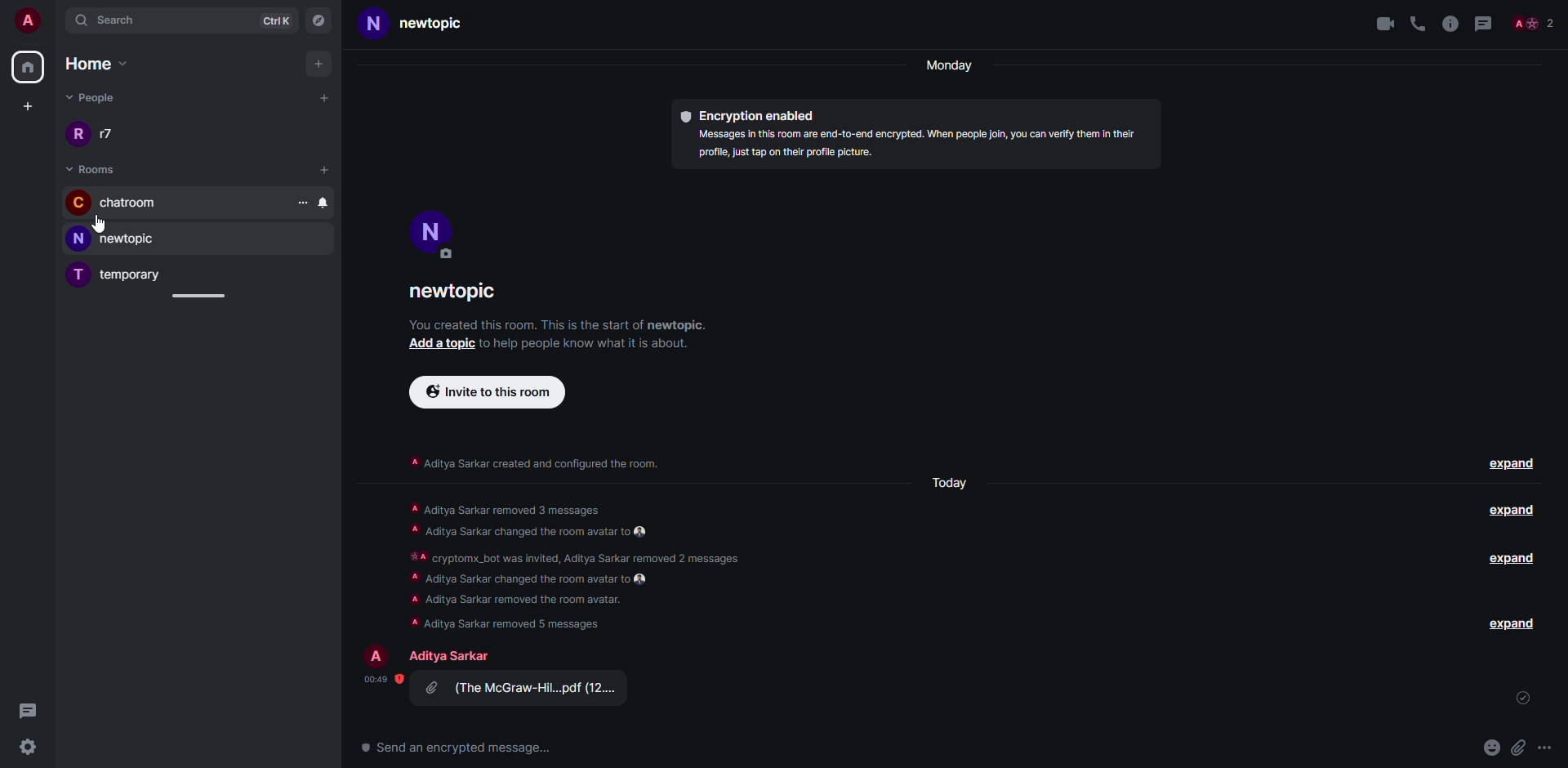  What do you see at coordinates (595, 346) in the screenshot?
I see `info` at bounding box center [595, 346].